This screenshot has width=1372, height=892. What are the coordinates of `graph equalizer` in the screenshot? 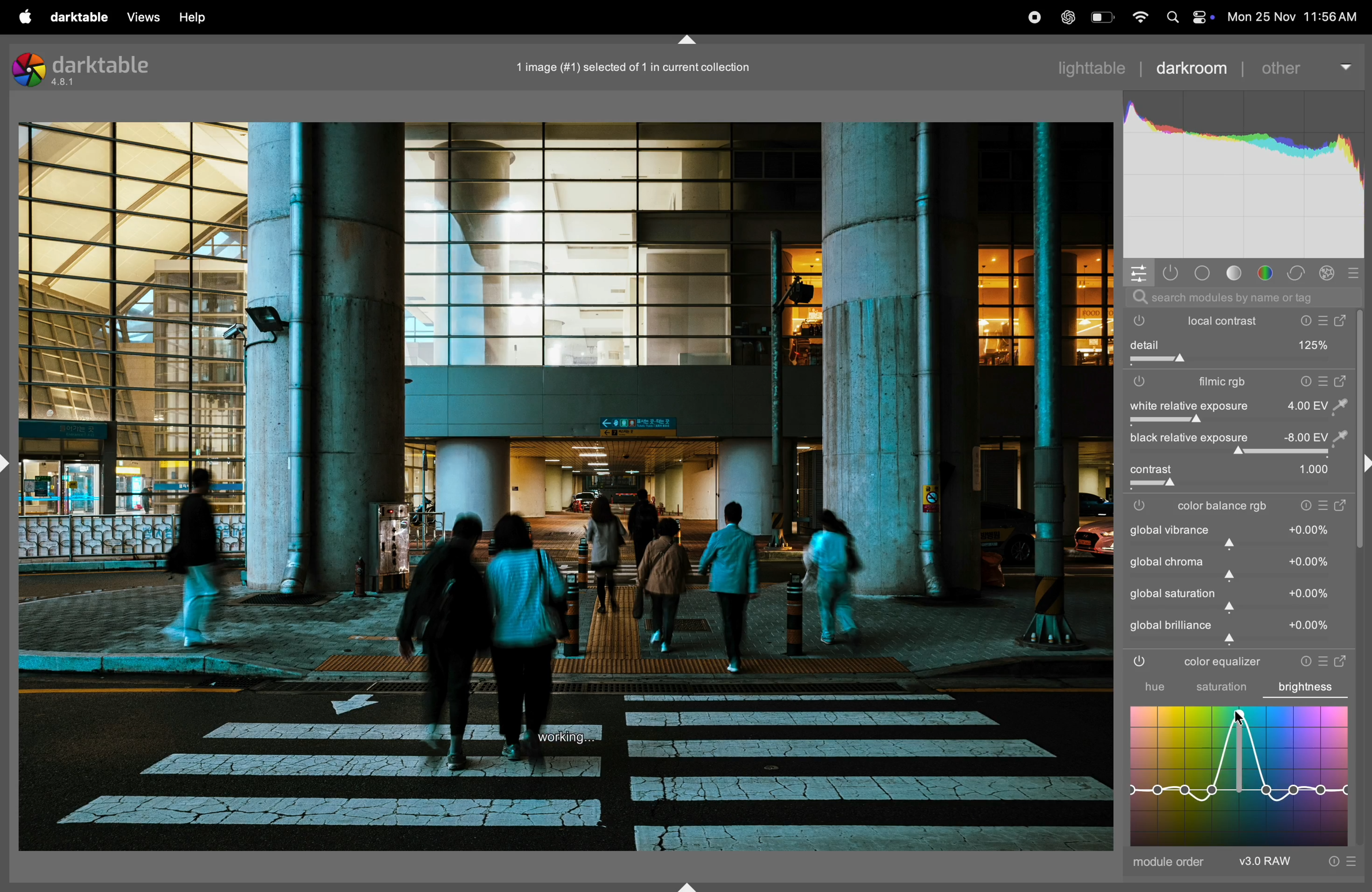 It's located at (1239, 775).